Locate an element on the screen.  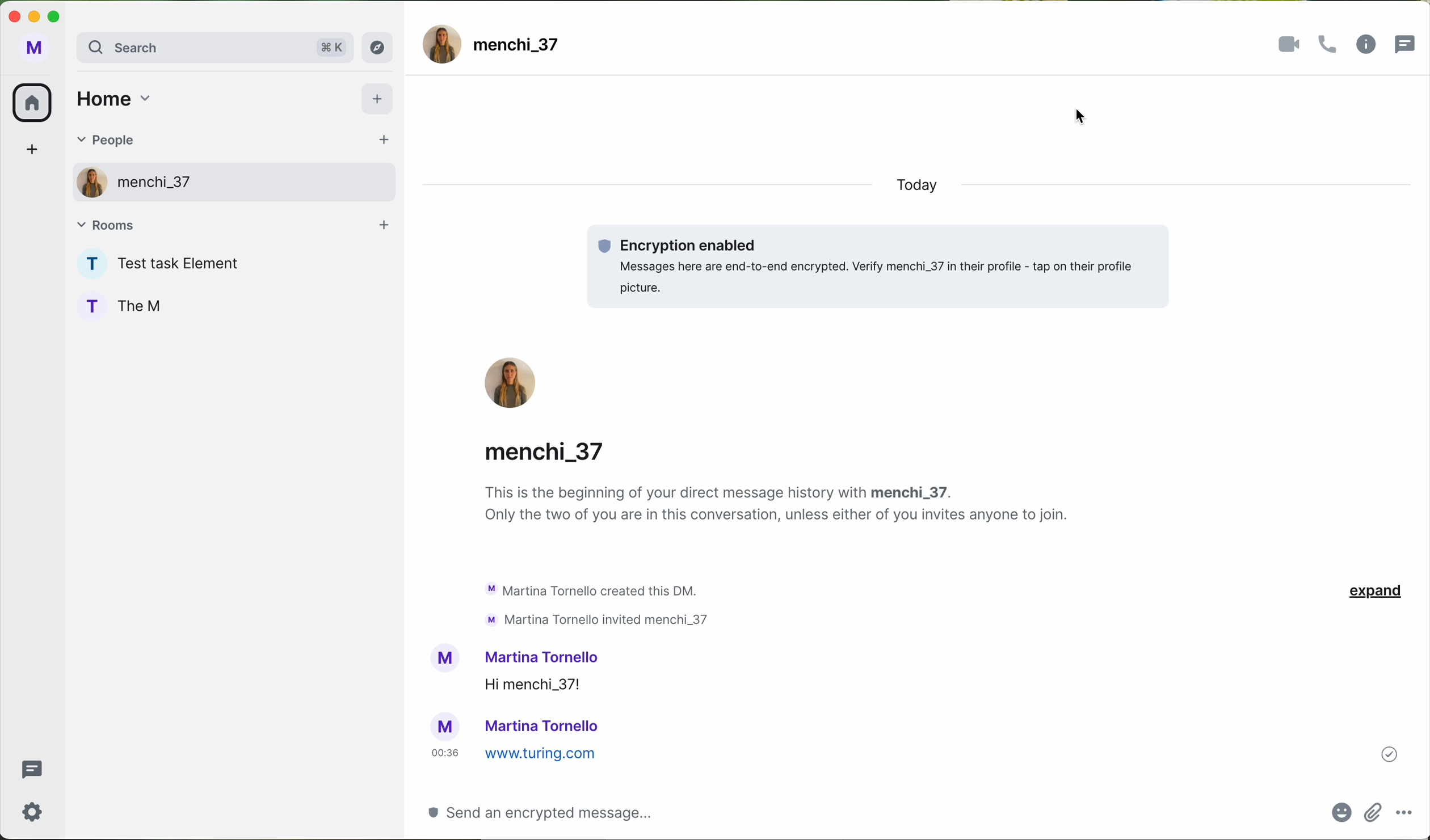
maximize is located at coordinates (59, 16).